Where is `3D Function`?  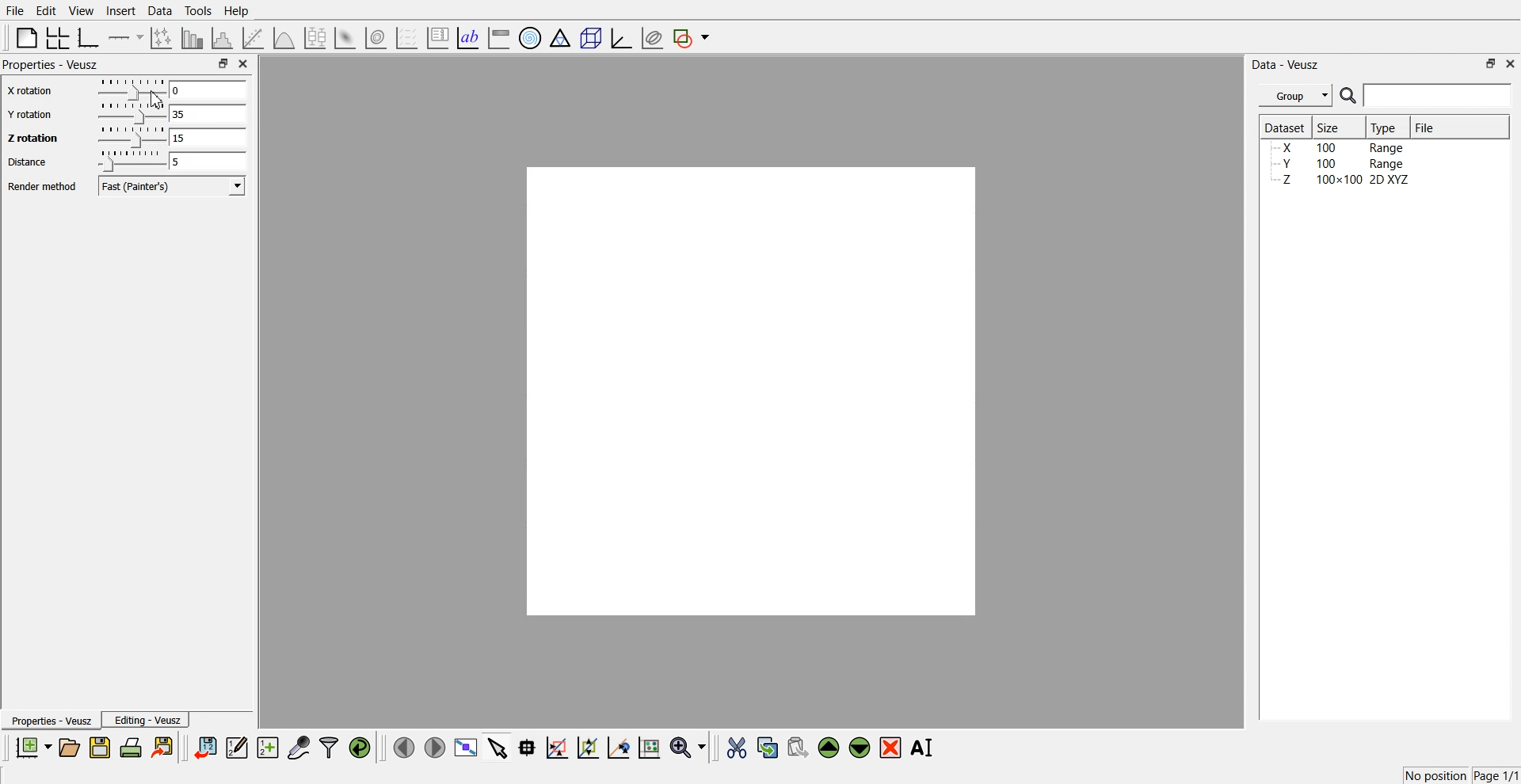
3D Function is located at coordinates (284, 38).